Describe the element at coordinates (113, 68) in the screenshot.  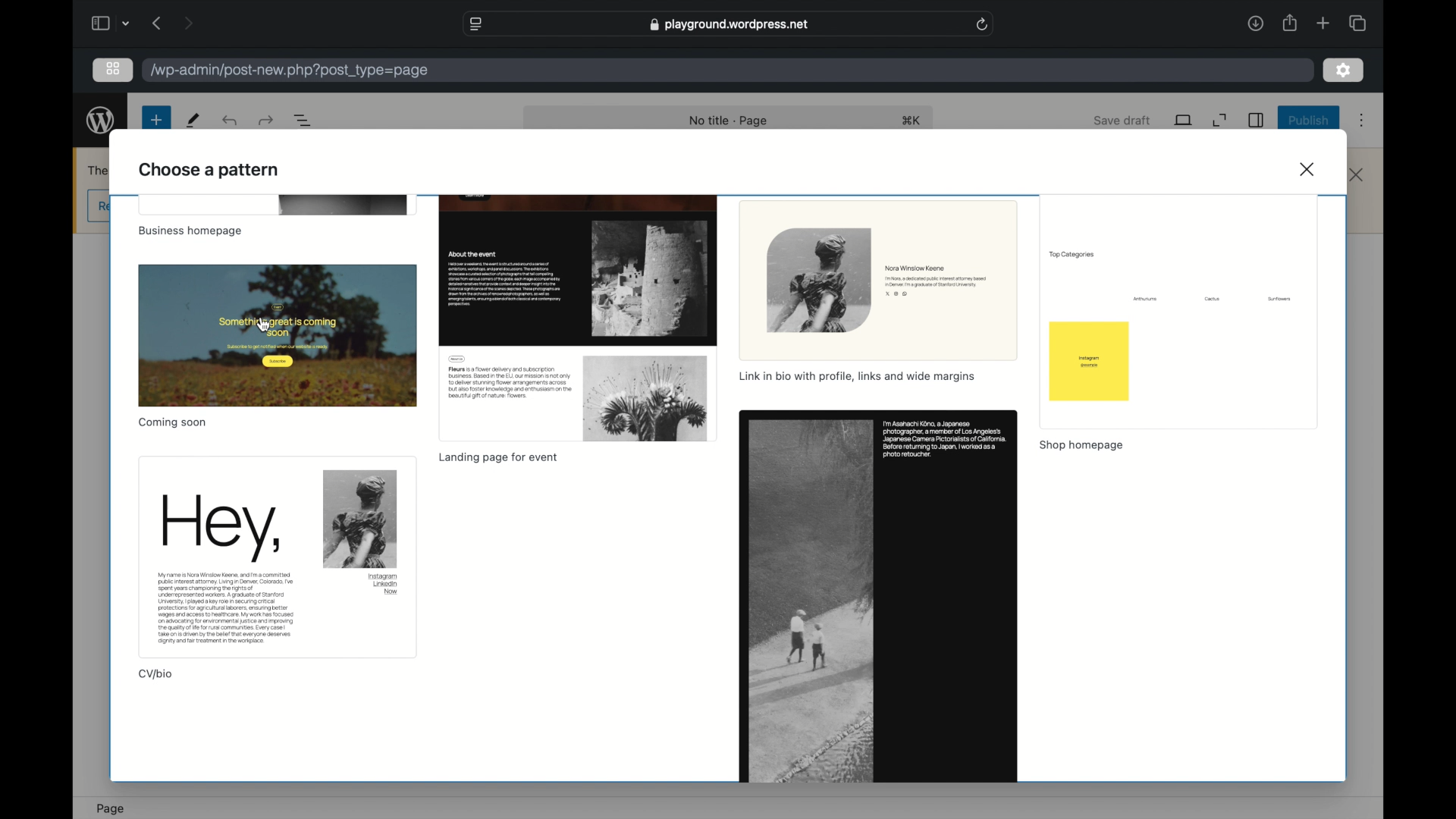
I see `grid` at that location.